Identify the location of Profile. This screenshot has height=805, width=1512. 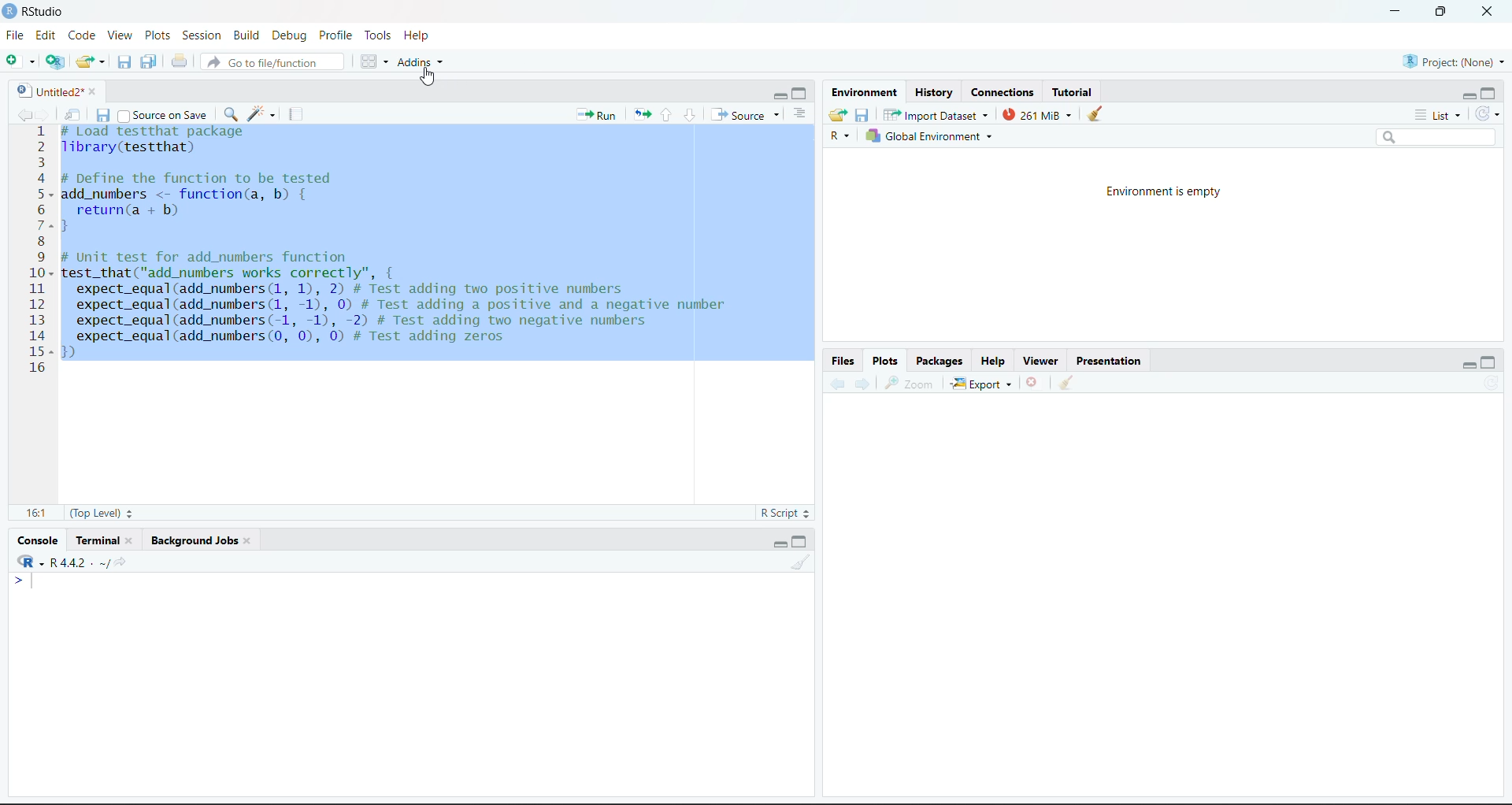
(334, 35).